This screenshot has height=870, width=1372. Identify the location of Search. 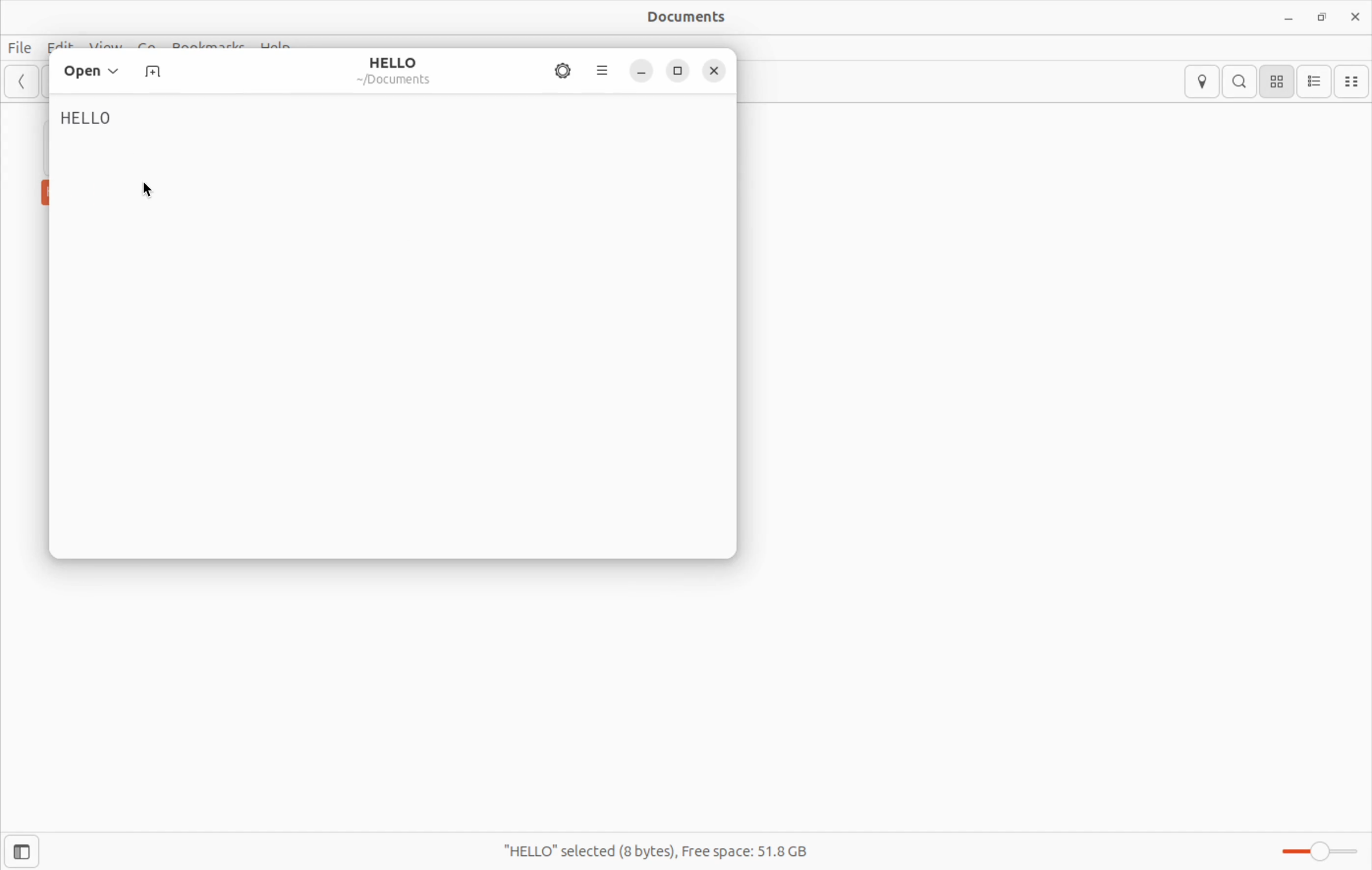
(1242, 82).